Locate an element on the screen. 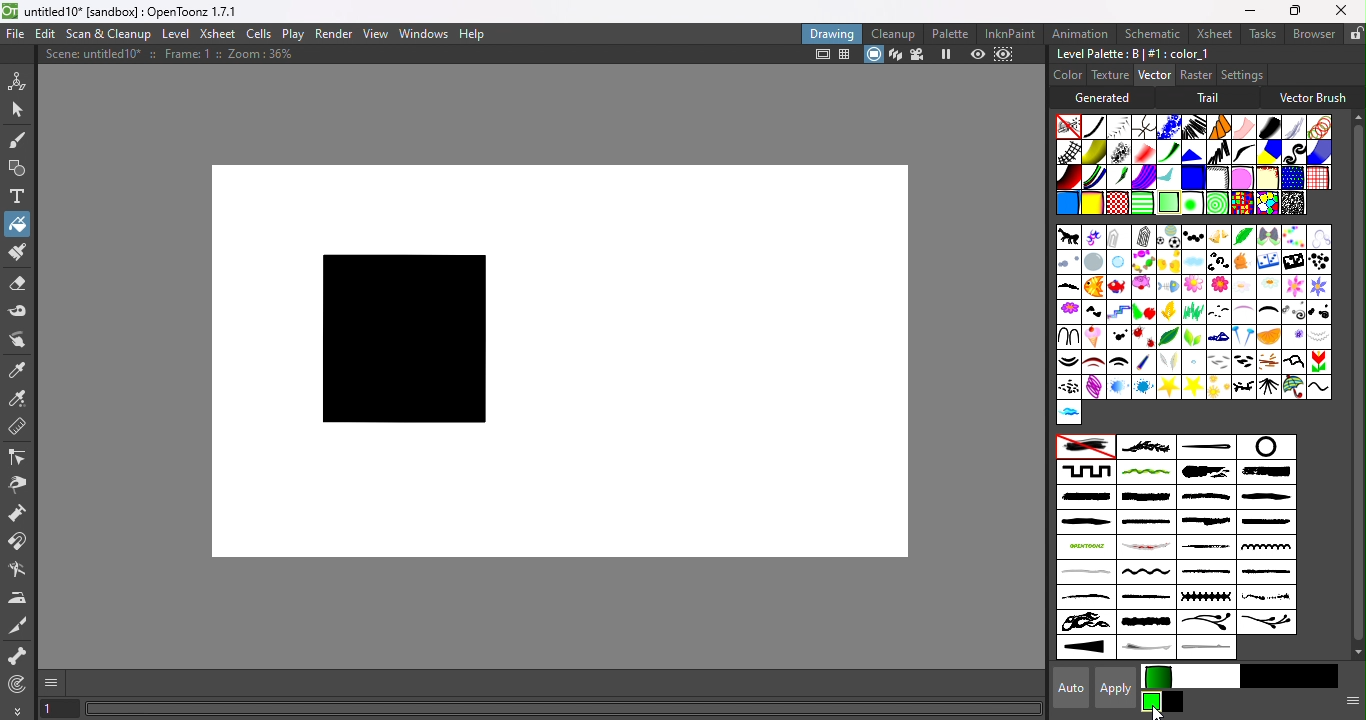 This screenshot has width=1366, height=720. hook is located at coordinates (1067, 335).